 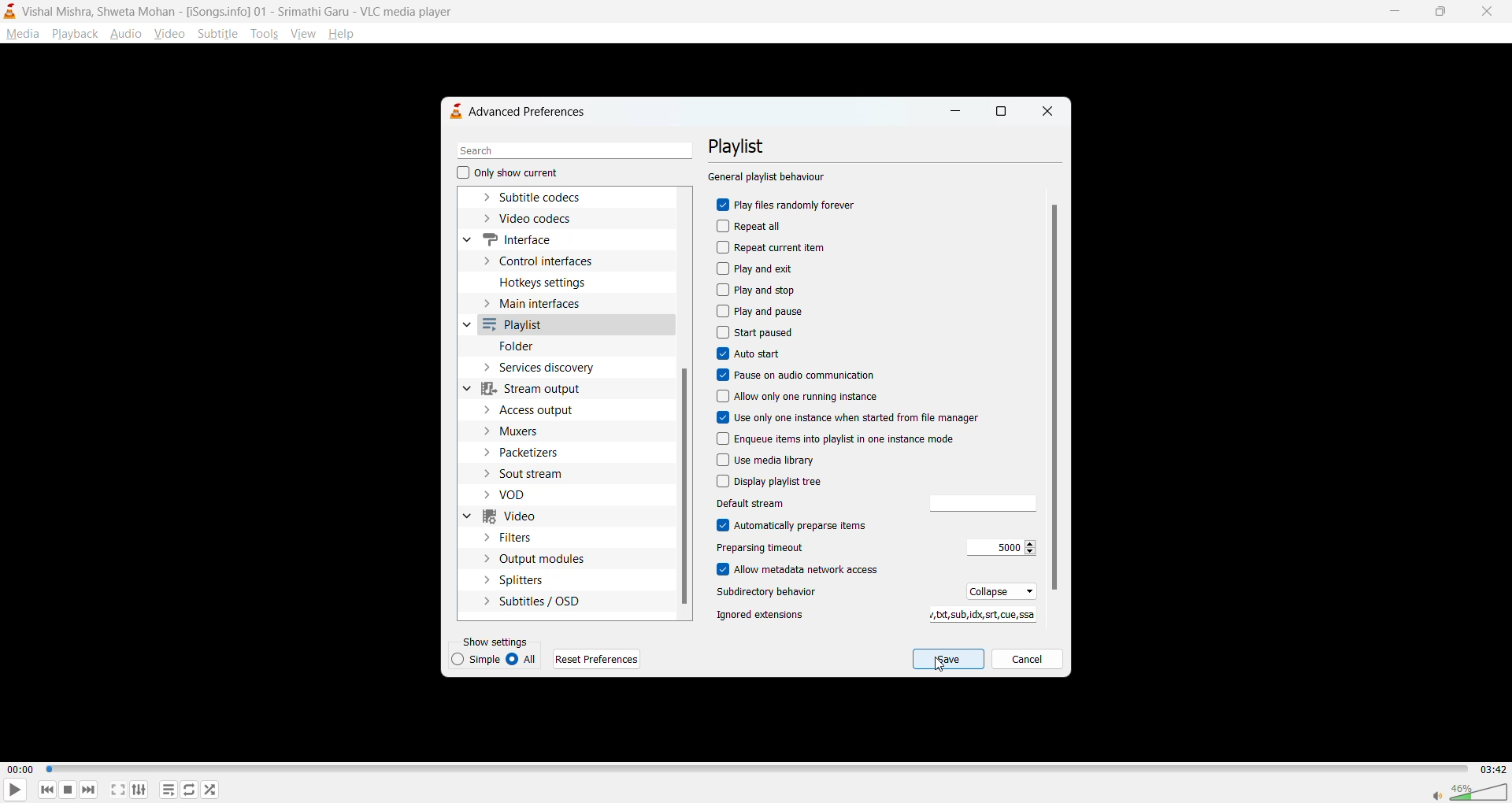 I want to click on filters, so click(x=514, y=538).